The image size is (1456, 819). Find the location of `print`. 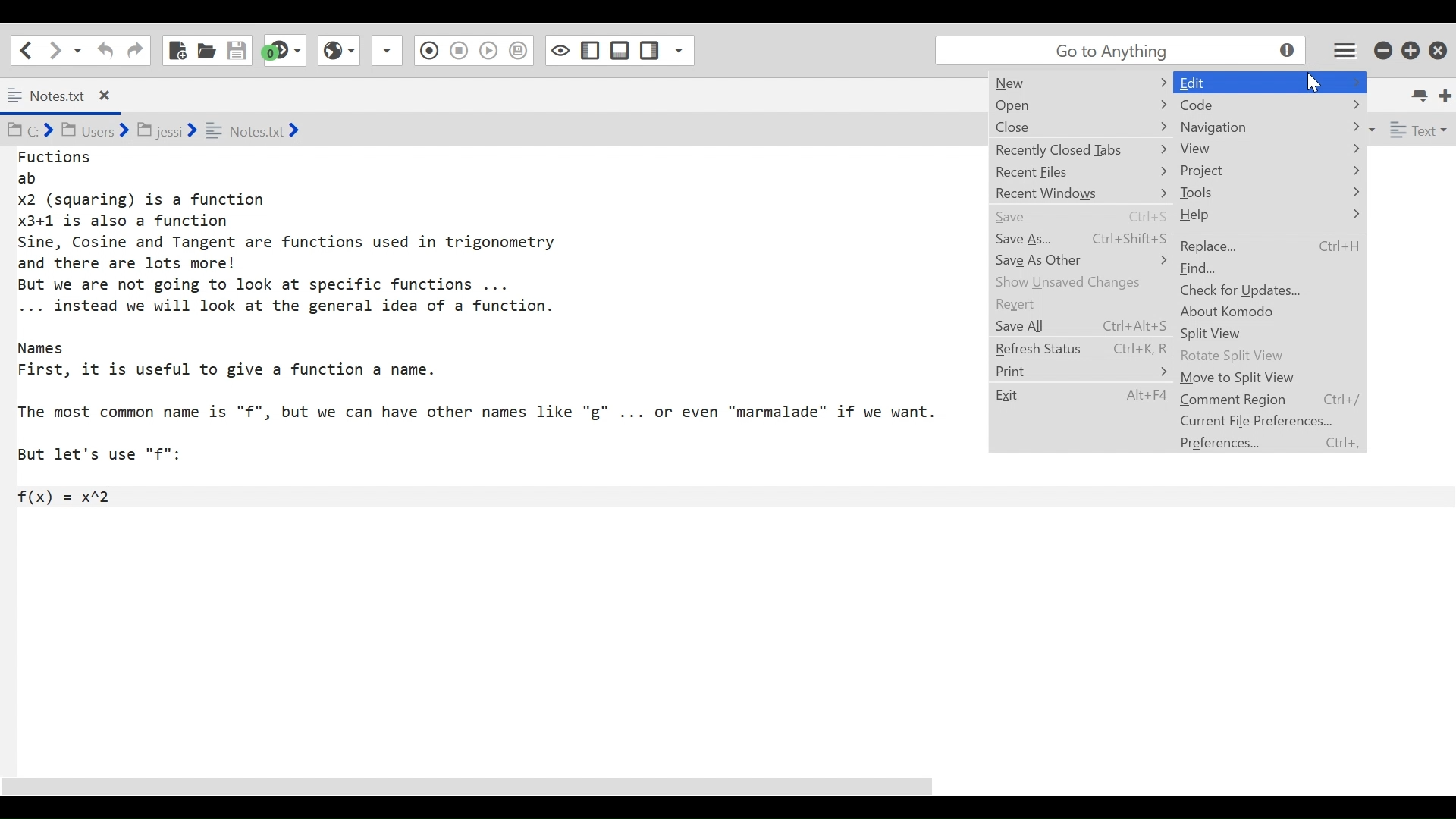

print is located at coordinates (1041, 372).